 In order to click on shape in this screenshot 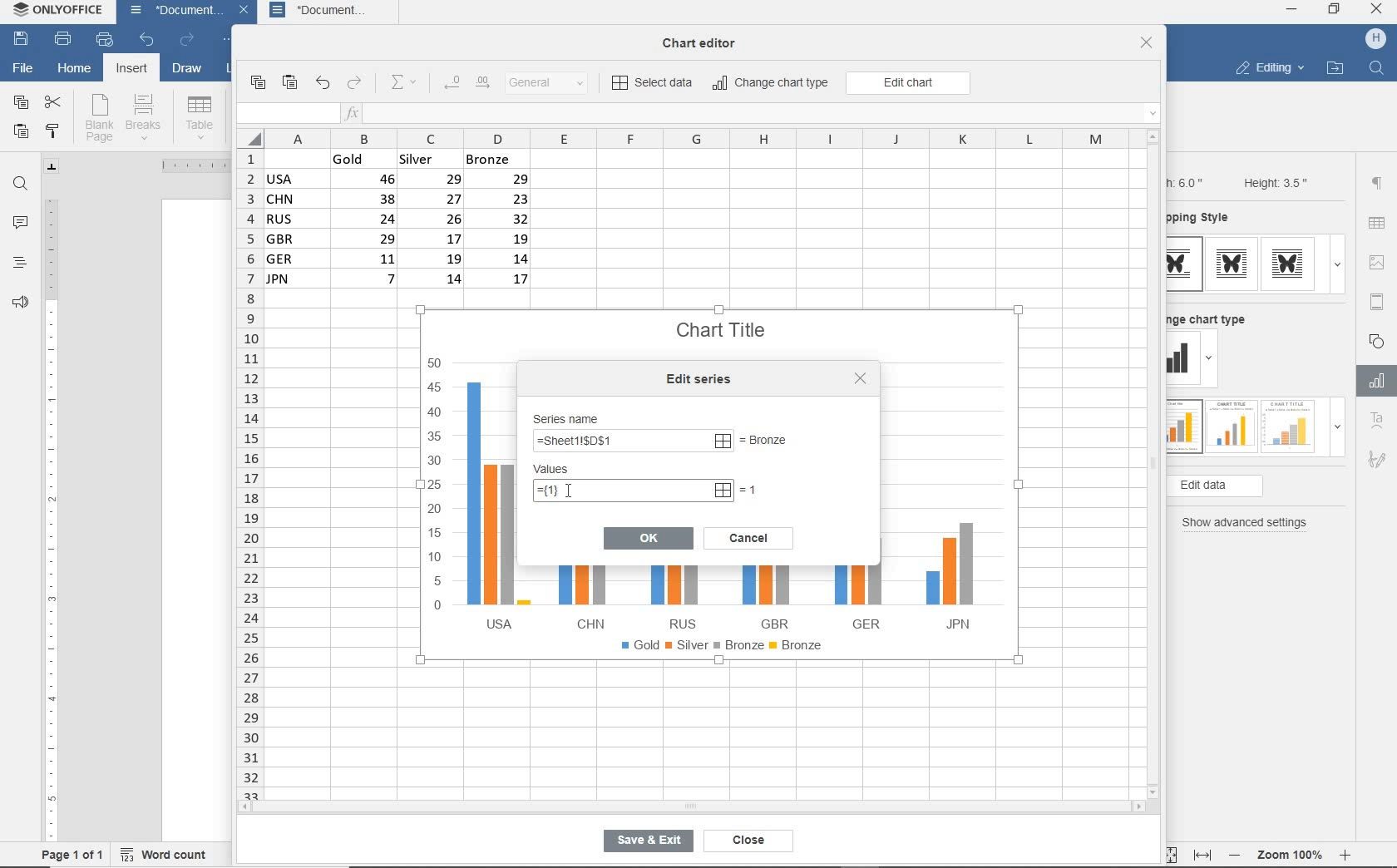, I will do `click(1379, 340)`.